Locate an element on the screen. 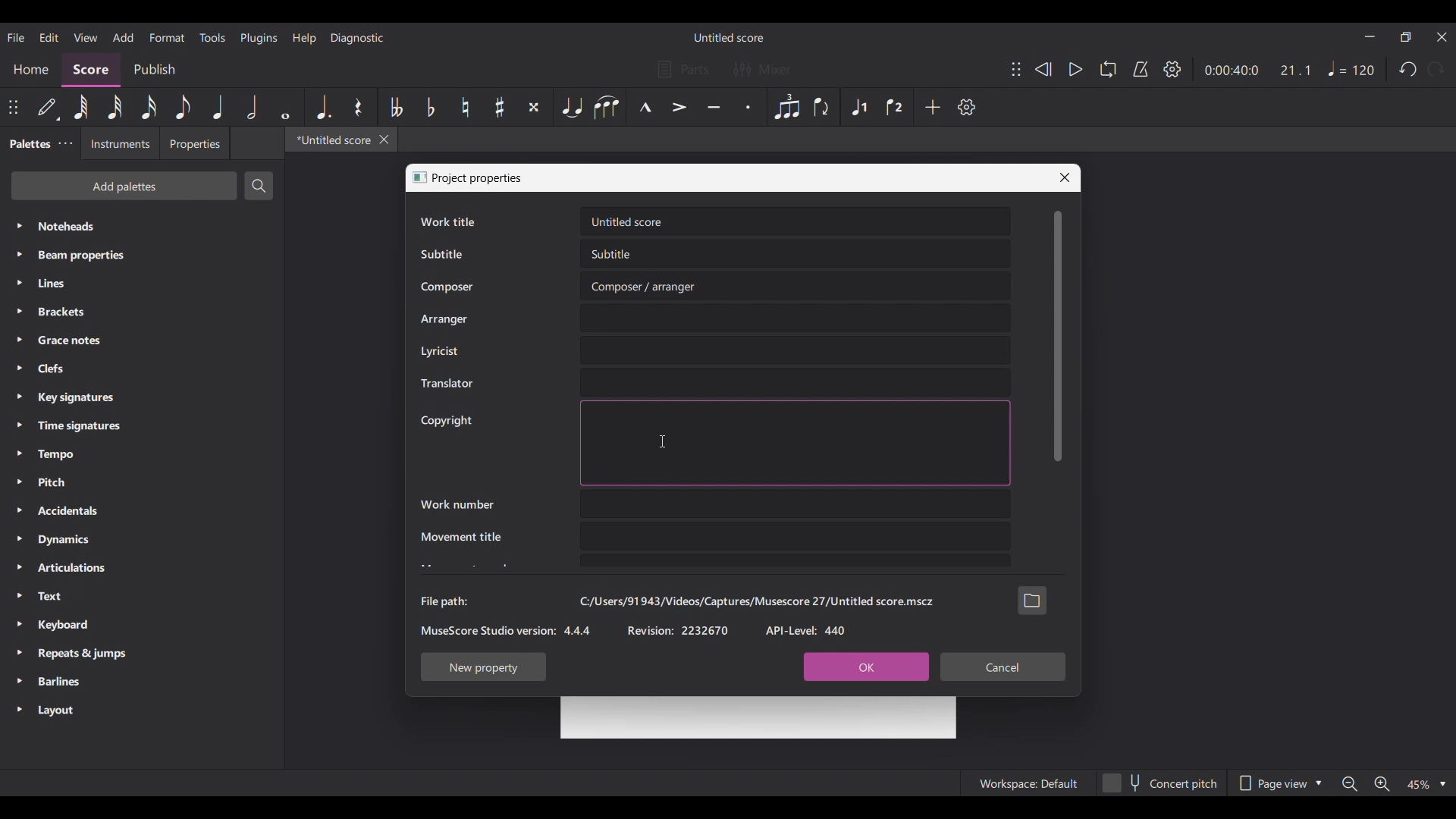 Image resolution: width=1456 pixels, height=819 pixels. Close tab is located at coordinates (384, 140).